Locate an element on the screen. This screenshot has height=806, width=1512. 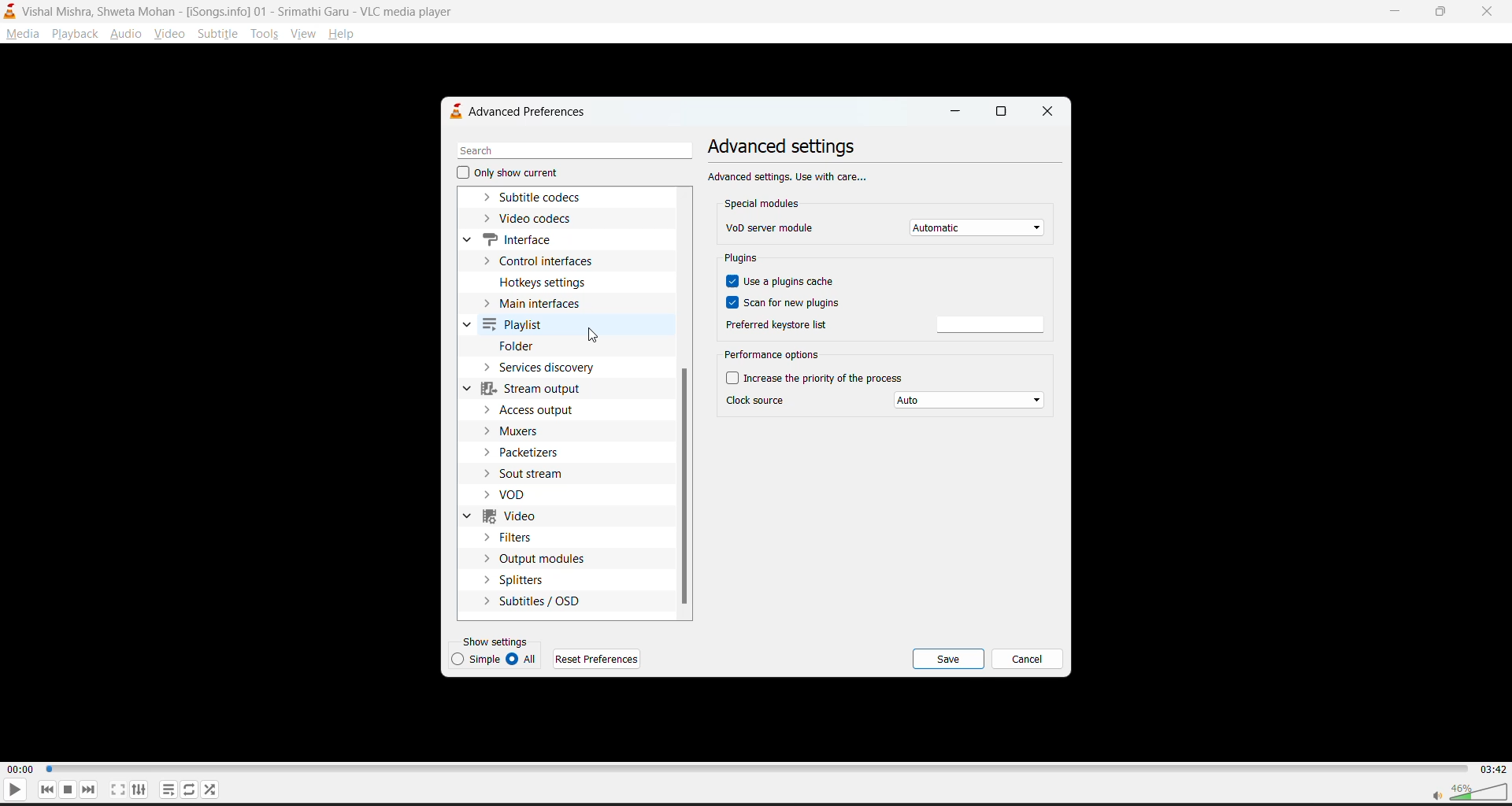
Advanced settings, Use with care is located at coordinates (789, 176).